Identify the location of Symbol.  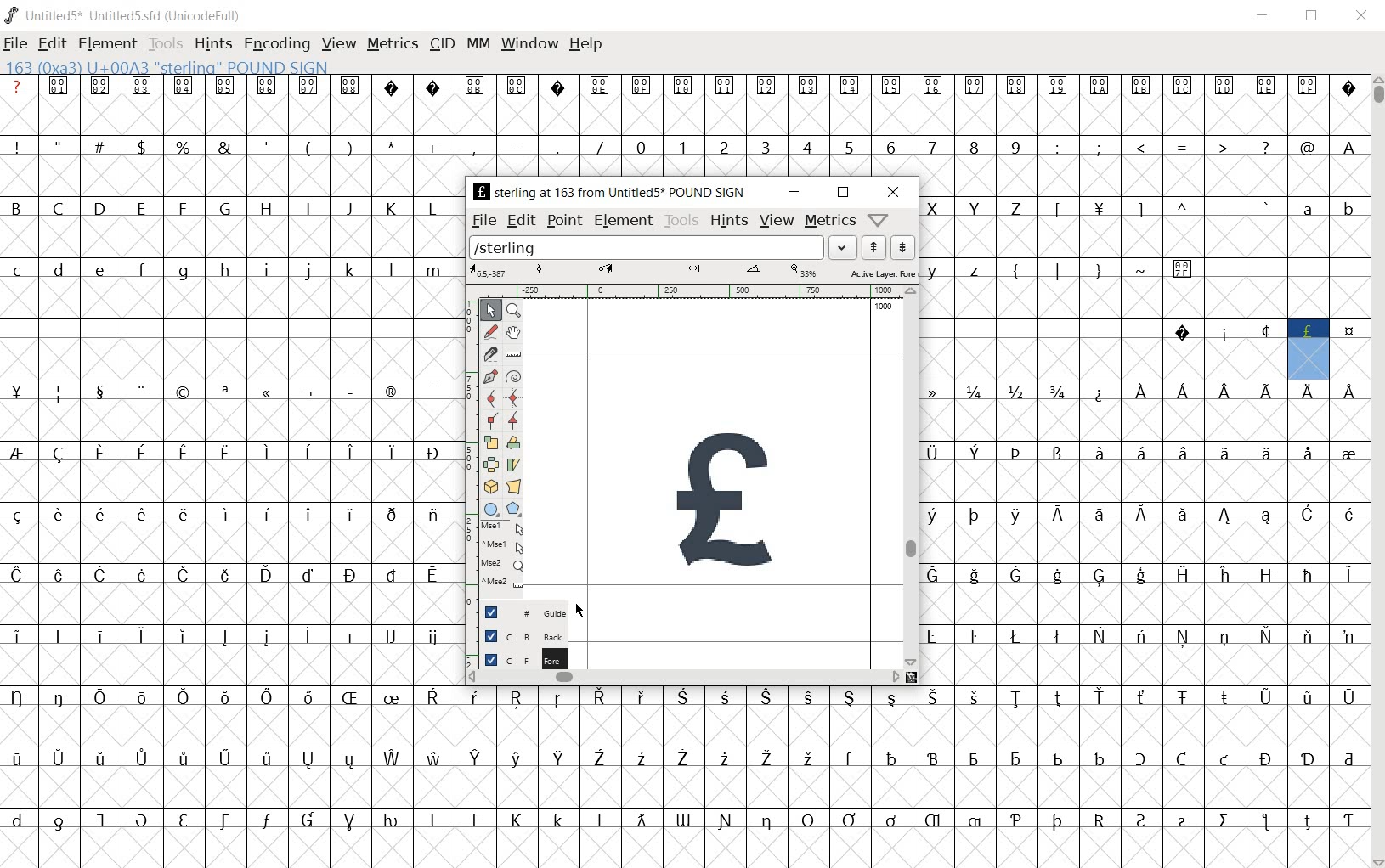
(391, 637).